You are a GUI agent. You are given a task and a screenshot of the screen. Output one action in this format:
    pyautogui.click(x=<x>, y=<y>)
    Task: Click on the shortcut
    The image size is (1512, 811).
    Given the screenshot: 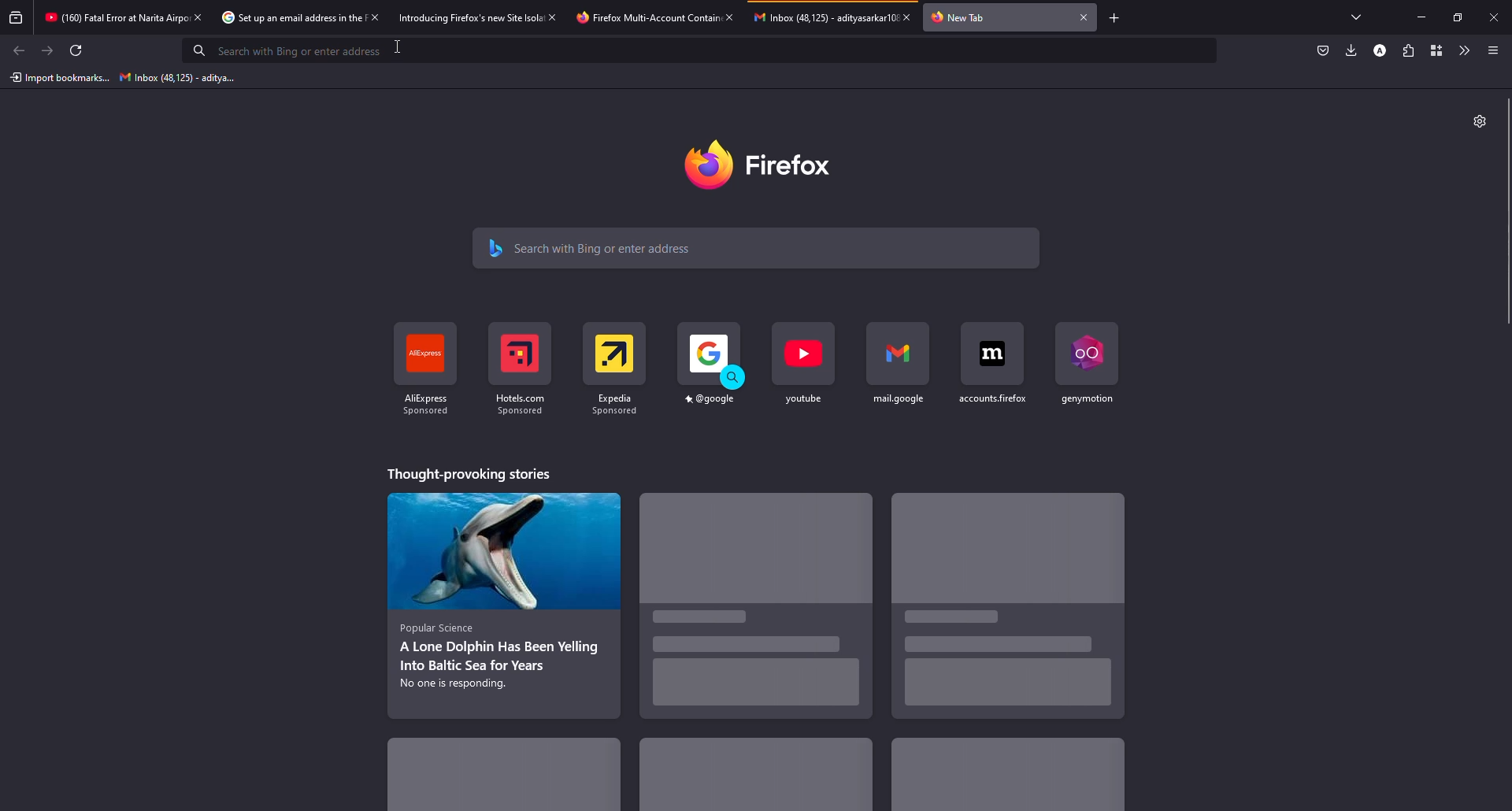 What is the action you would take?
    pyautogui.click(x=805, y=373)
    